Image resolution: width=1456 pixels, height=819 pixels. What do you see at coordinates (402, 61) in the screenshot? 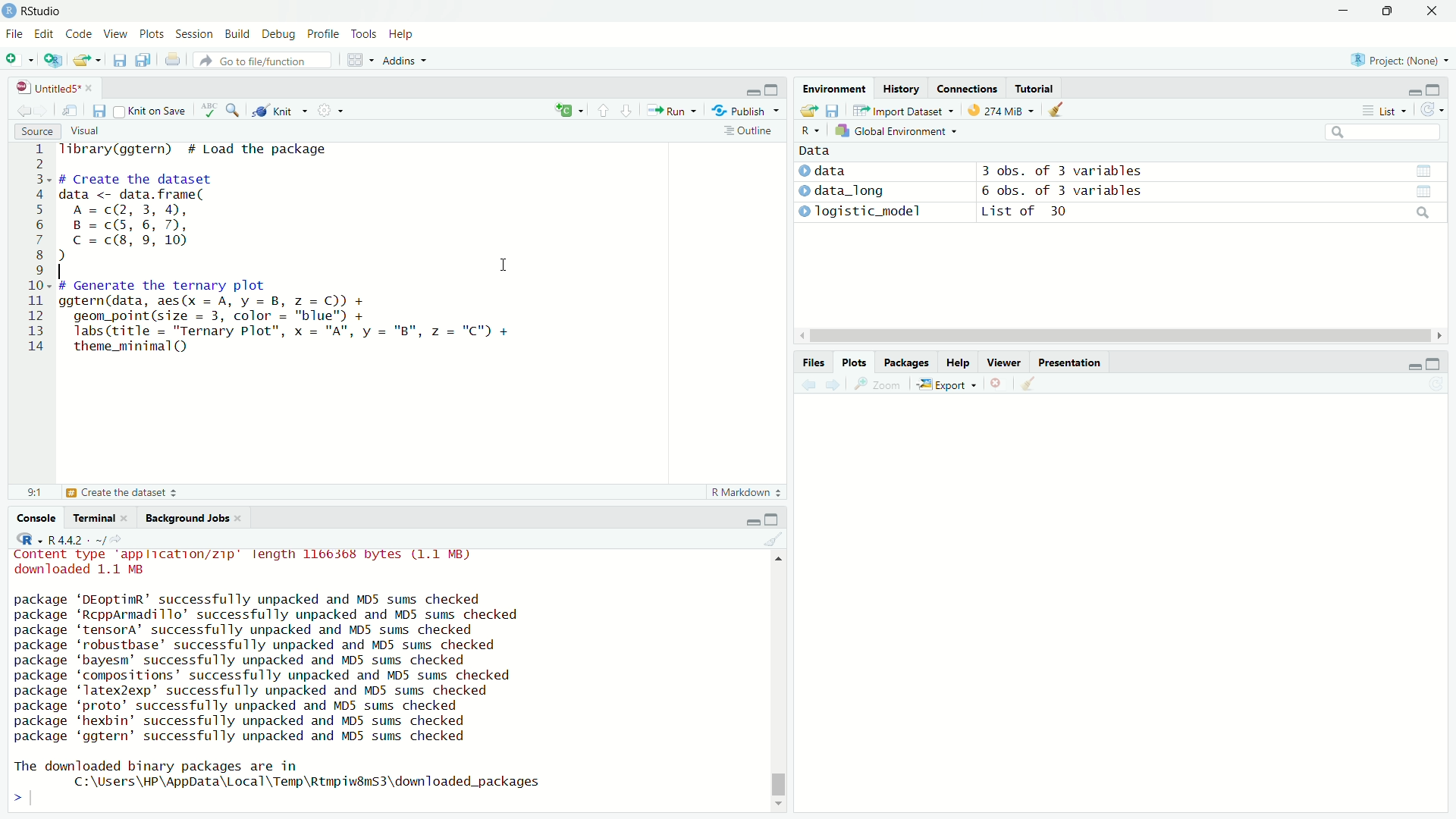
I see `Addins ~` at bounding box center [402, 61].